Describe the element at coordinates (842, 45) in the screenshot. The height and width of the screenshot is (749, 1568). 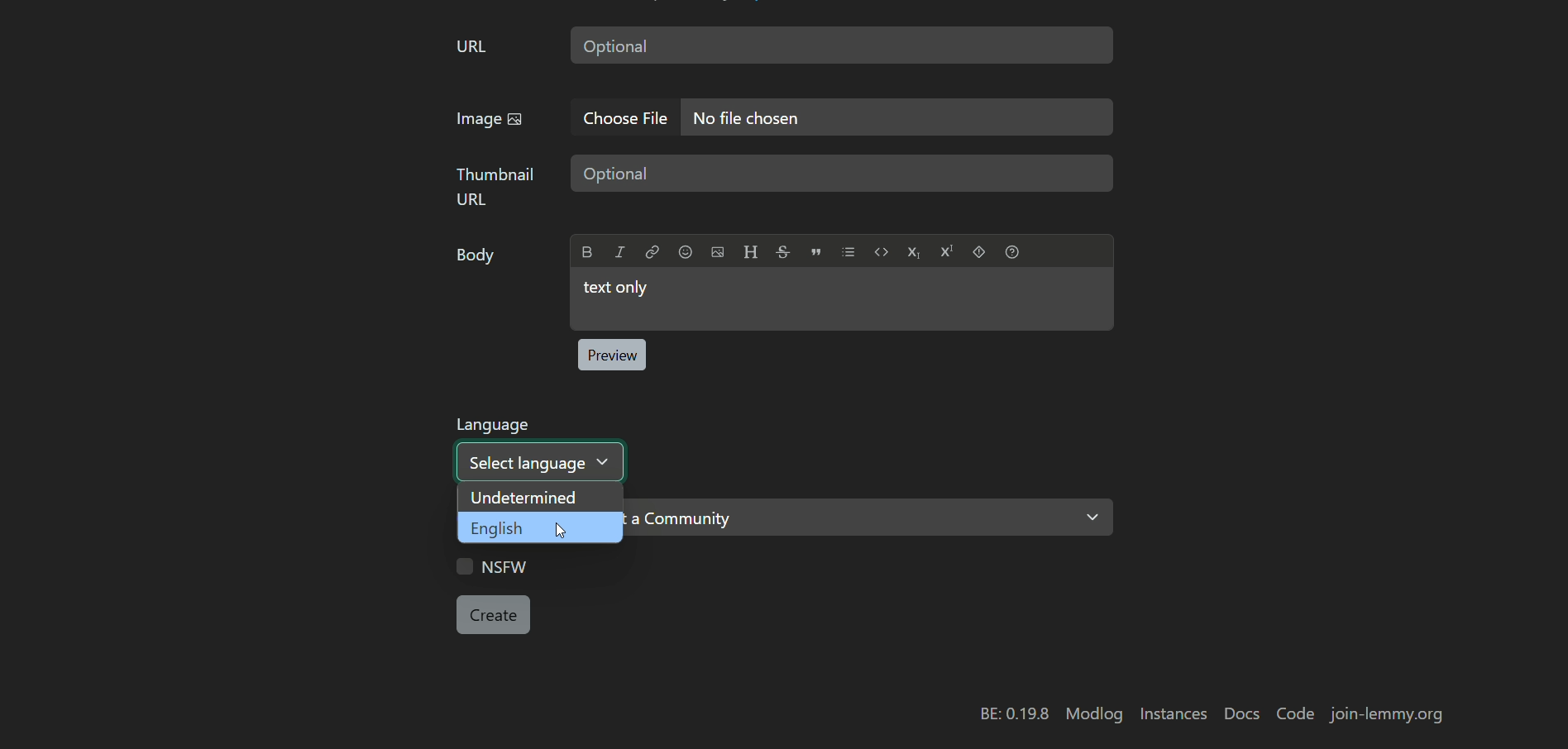
I see `text box` at that location.